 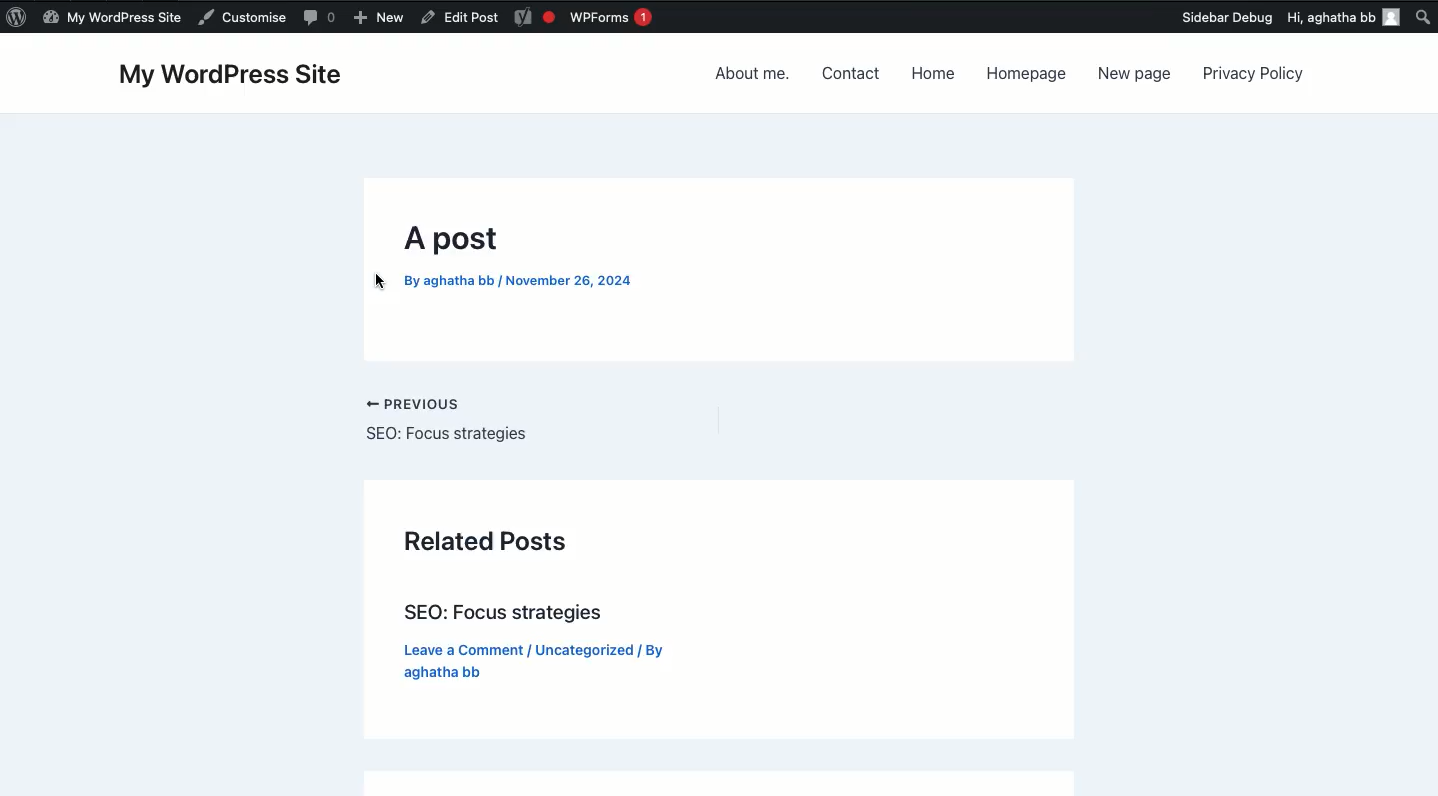 I want to click on , so click(x=382, y=18).